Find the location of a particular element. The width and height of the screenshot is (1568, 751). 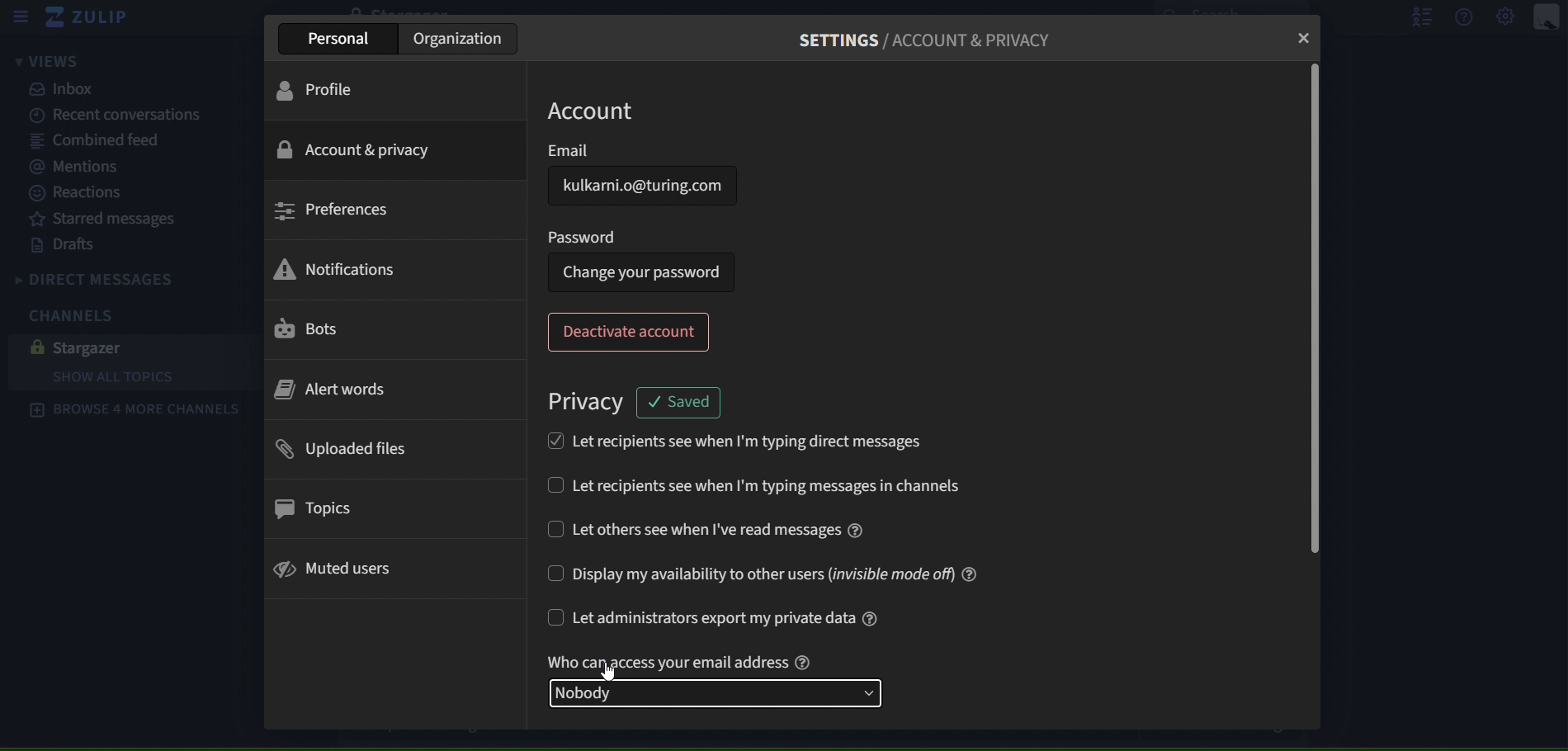

reactions is located at coordinates (92, 193).